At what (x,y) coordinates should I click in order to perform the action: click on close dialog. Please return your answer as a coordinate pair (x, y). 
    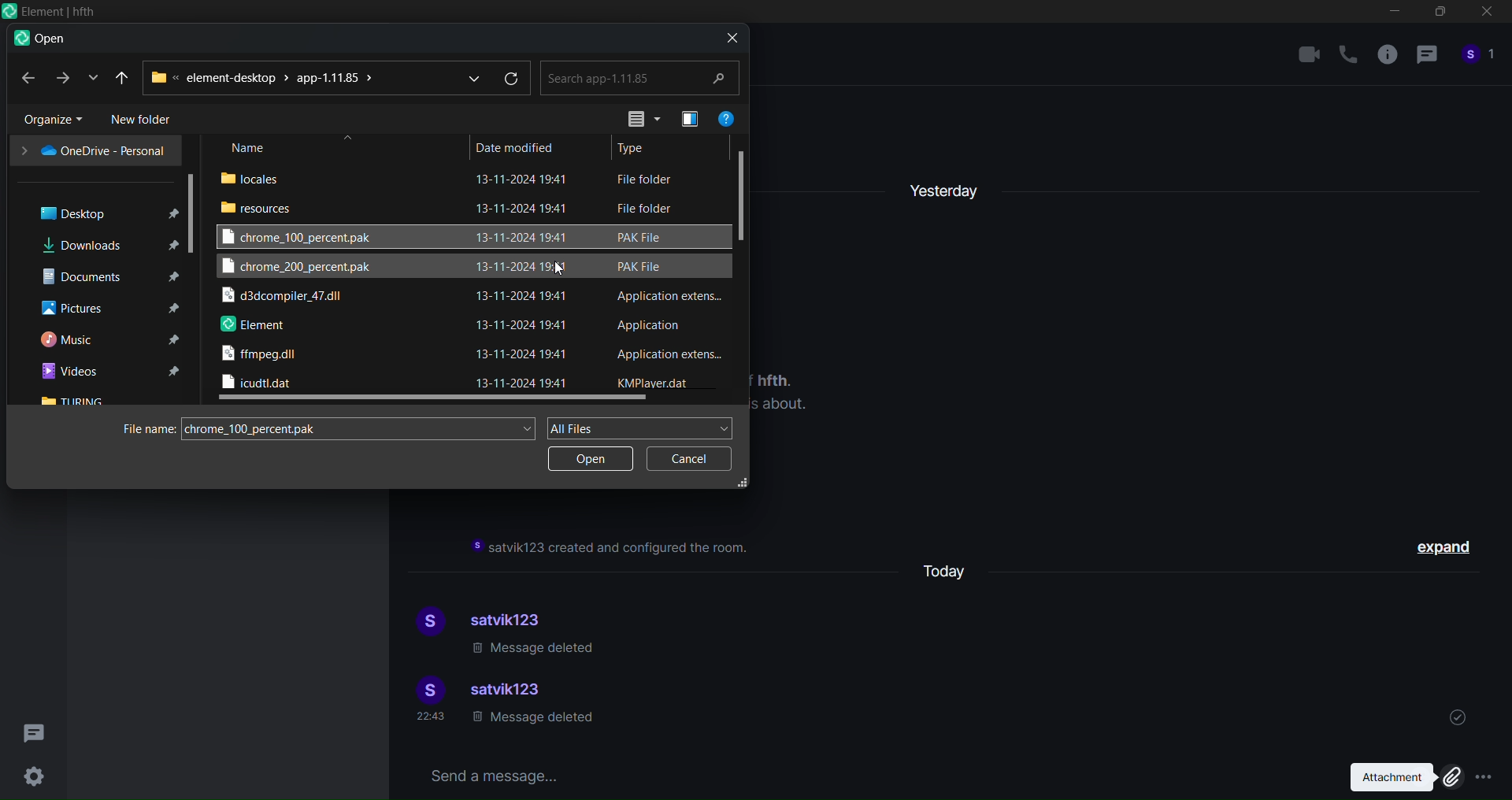
    Looking at the image, I should click on (728, 37).